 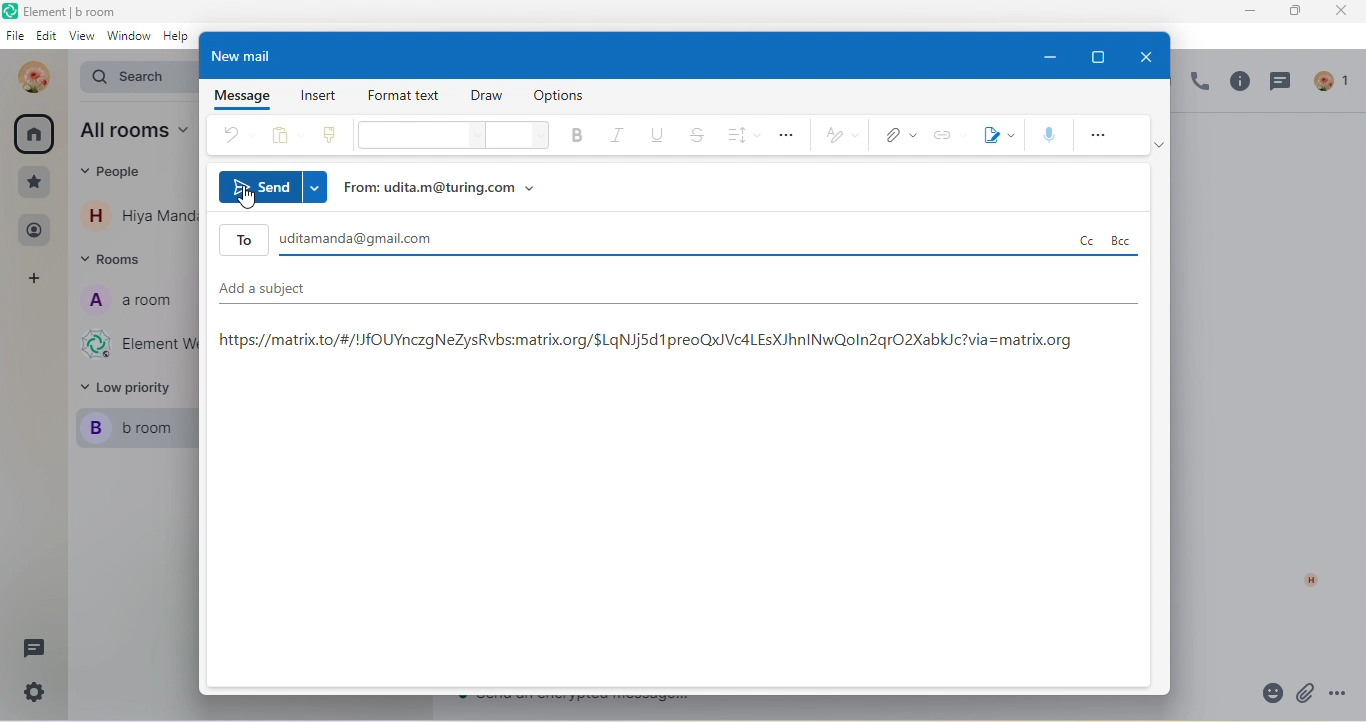 I want to click on strickthrough, so click(x=698, y=136).